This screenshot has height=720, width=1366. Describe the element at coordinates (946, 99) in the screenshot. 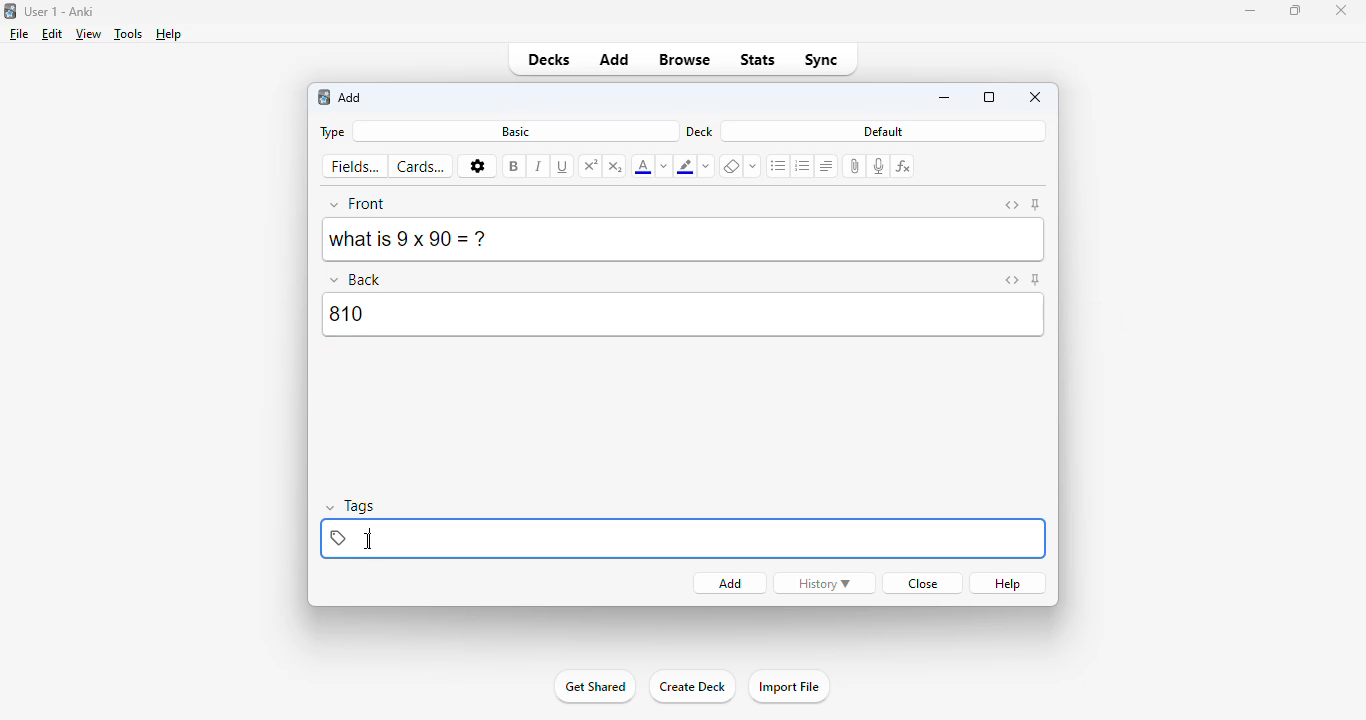

I see `minimize` at that location.